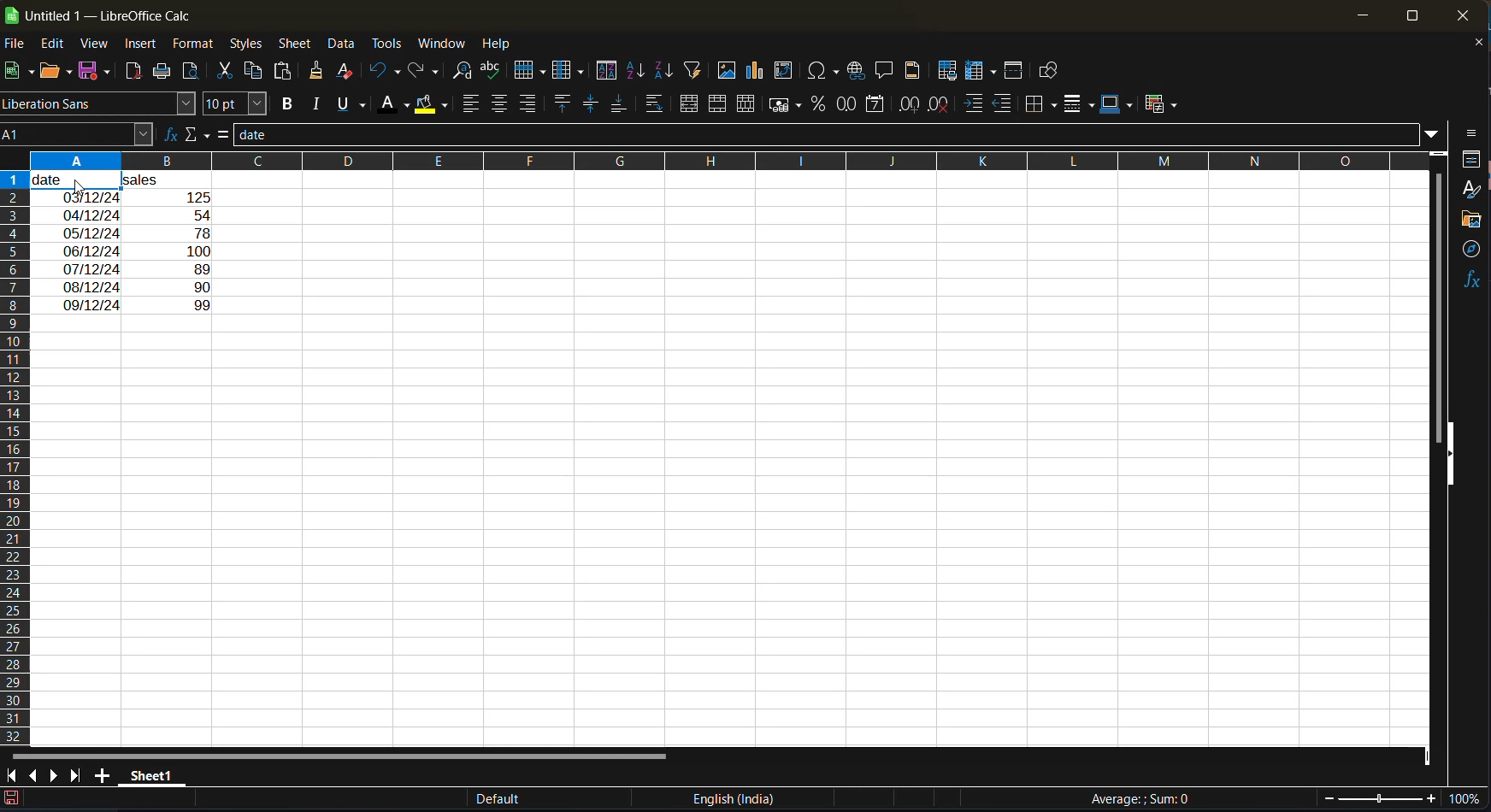  Describe the element at coordinates (335, 753) in the screenshot. I see `horizontal scroll bar` at that location.